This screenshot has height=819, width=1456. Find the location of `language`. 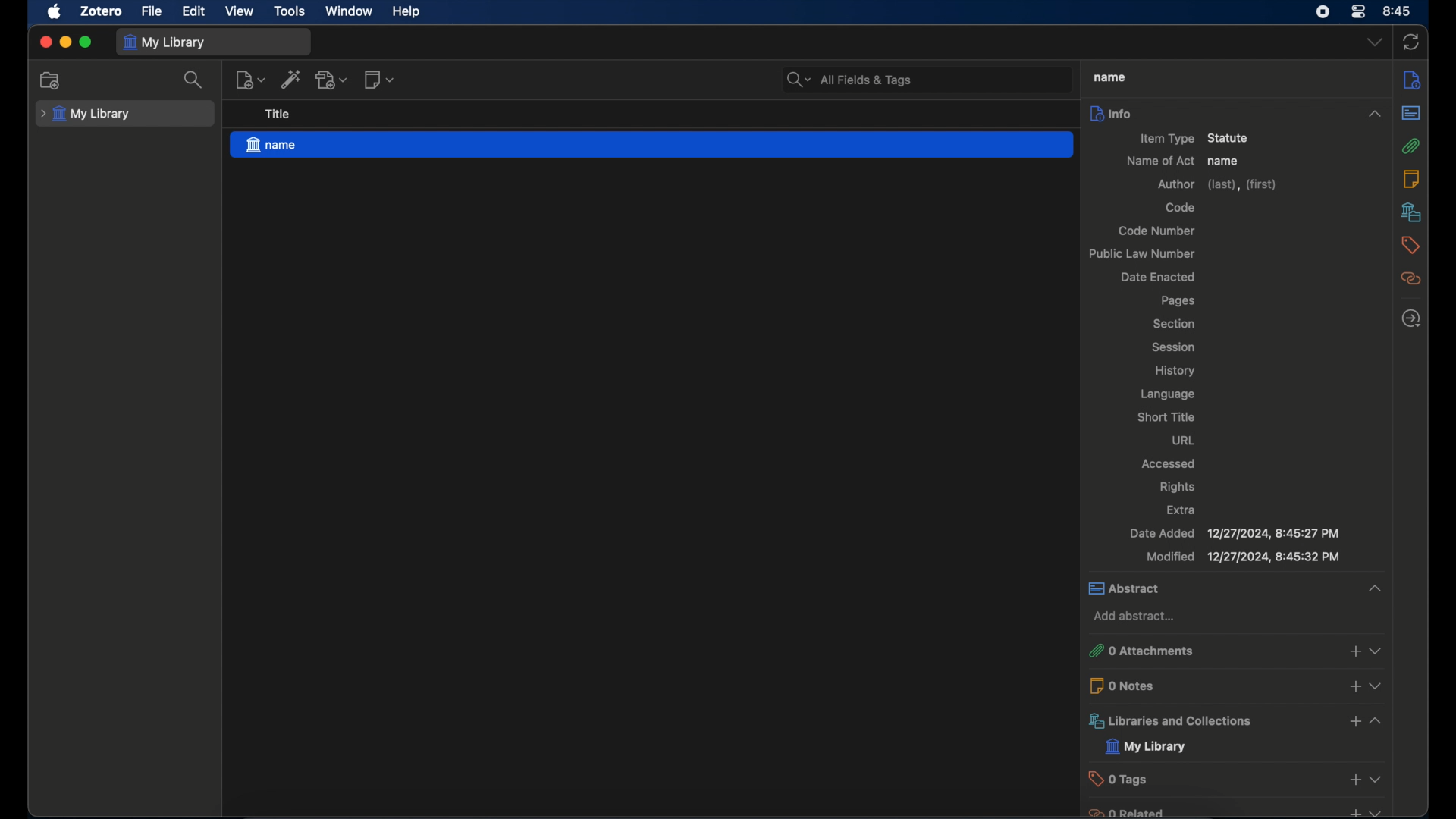

language is located at coordinates (1168, 394).